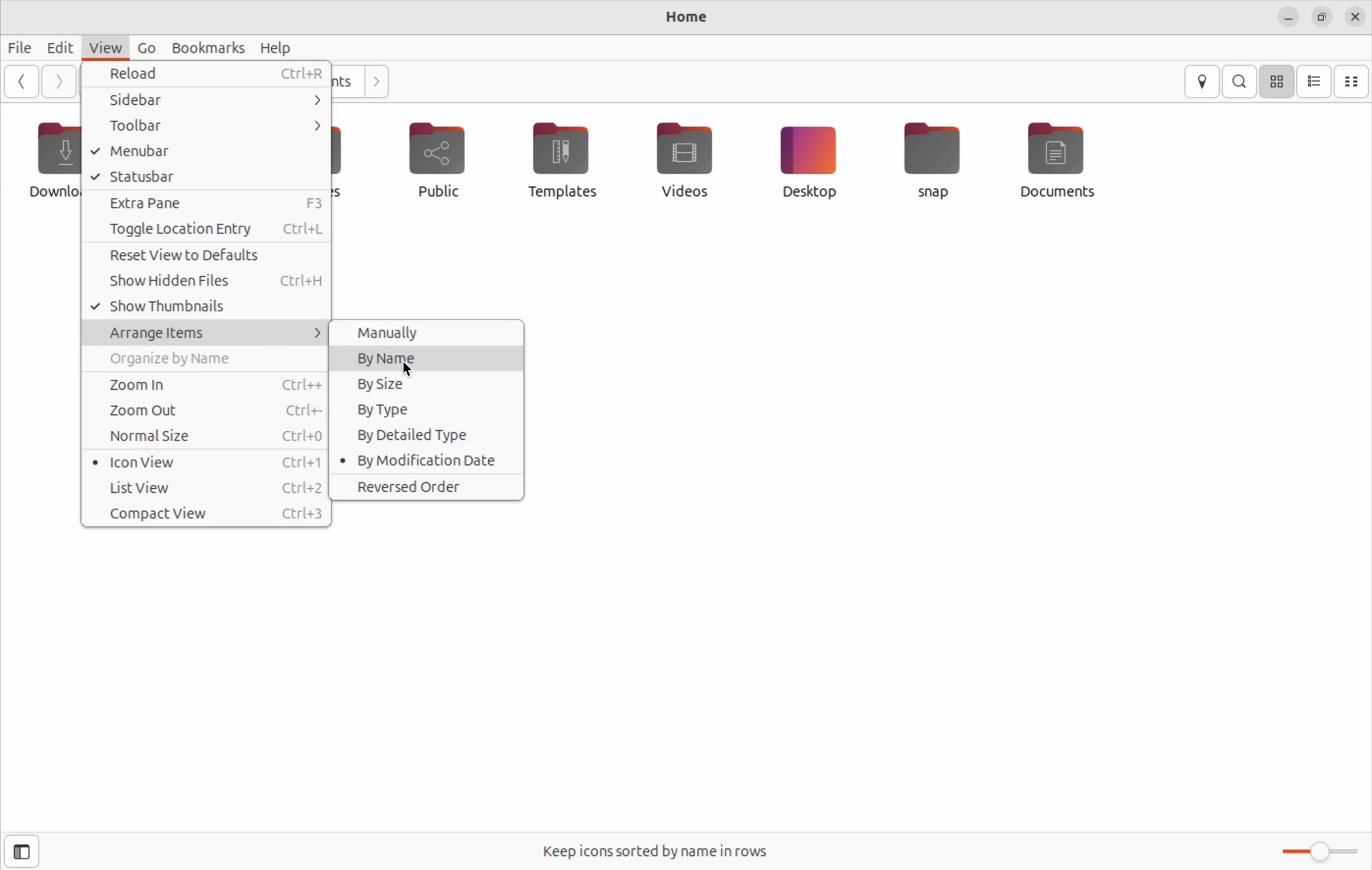  Describe the element at coordinates (1353, 82) in the screenshot. I see `compact view` at that location.